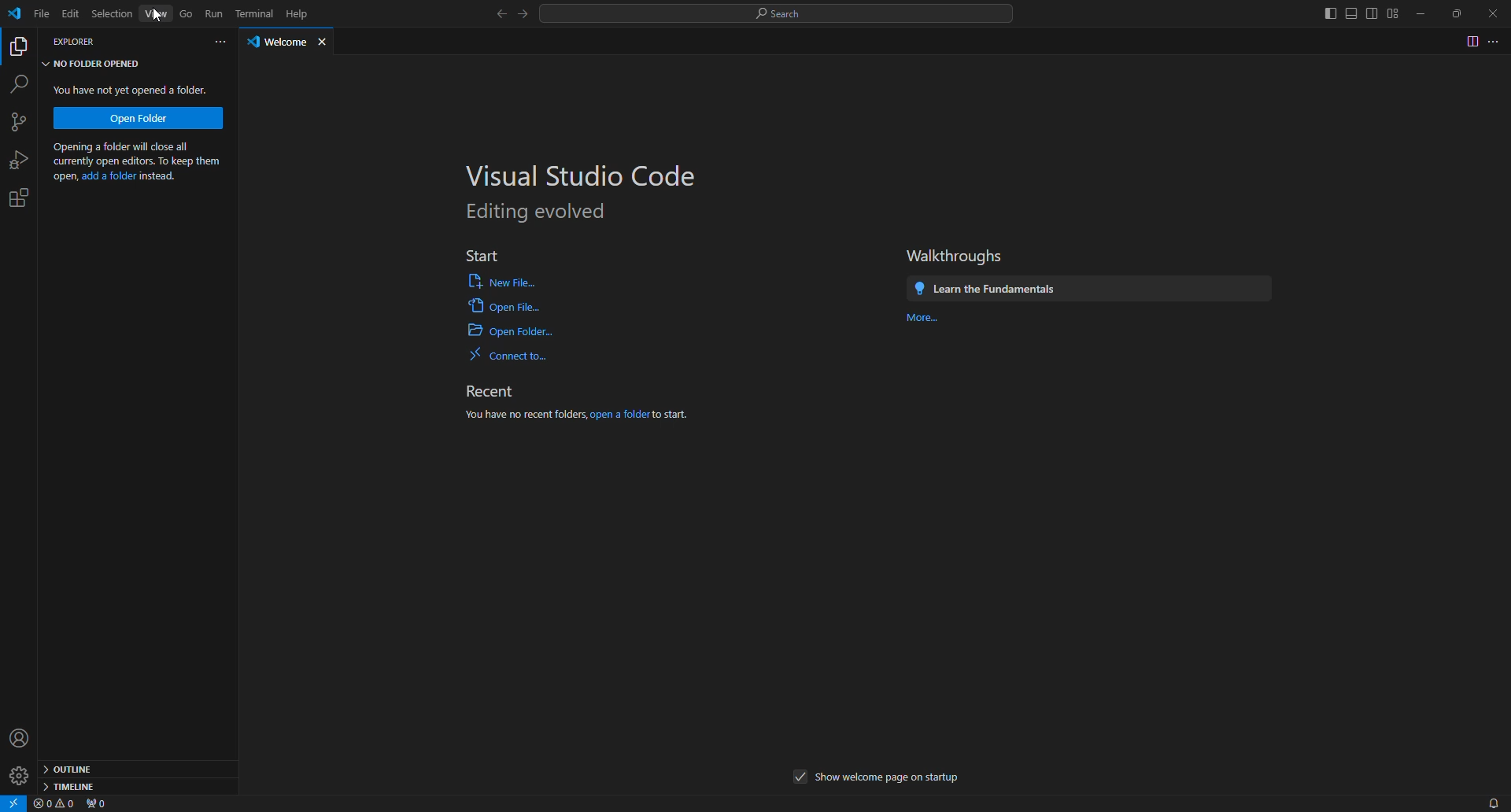 This screenshot has width=1511, height=812. Describe the element at coordinates (67, 40) in the screenshot. I see `explorer` at that location.